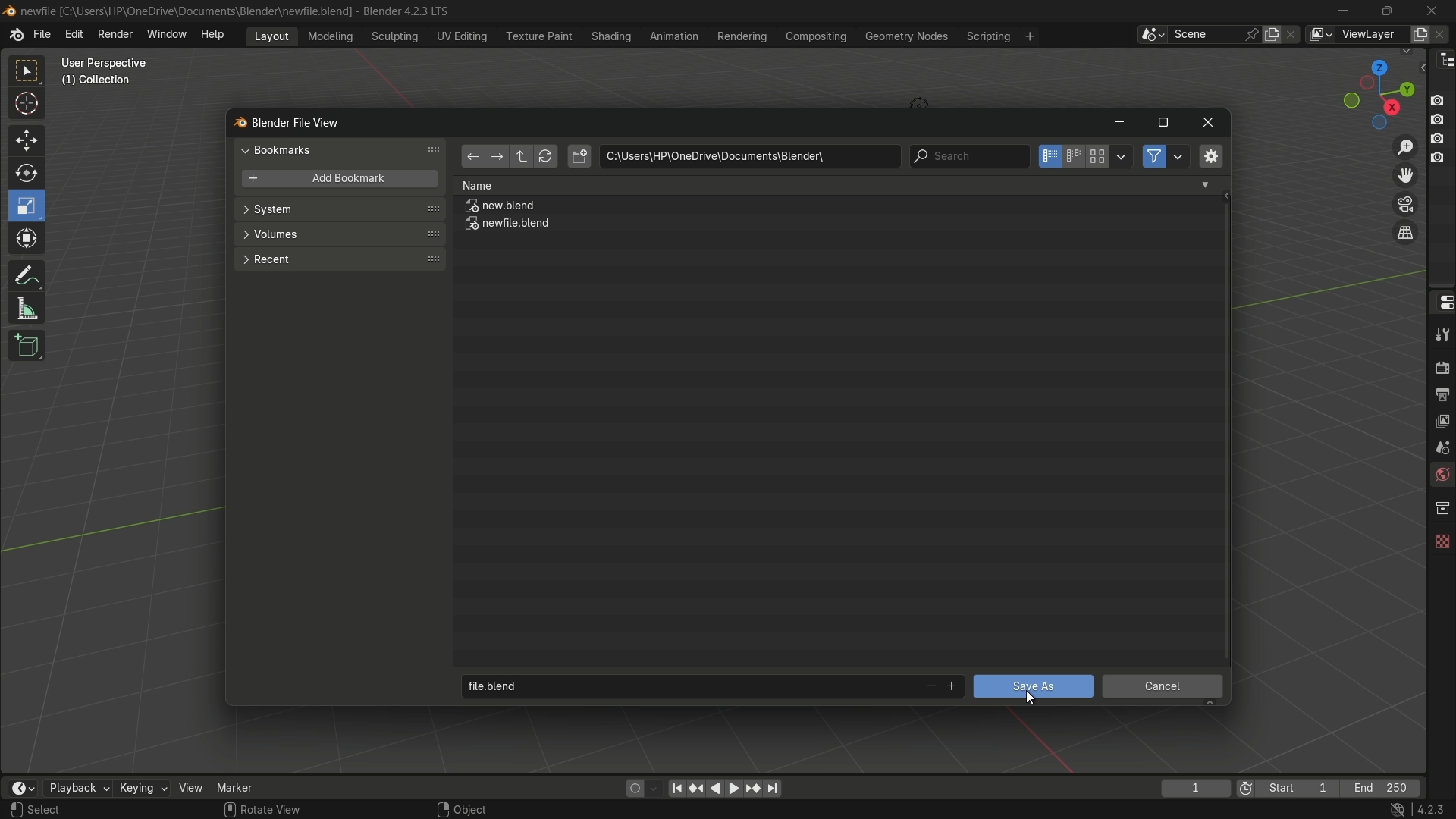  What do you see at coordinates (1179, 156) in the screenshot?
I see `filter settings` at bounding box center [1179, 156].